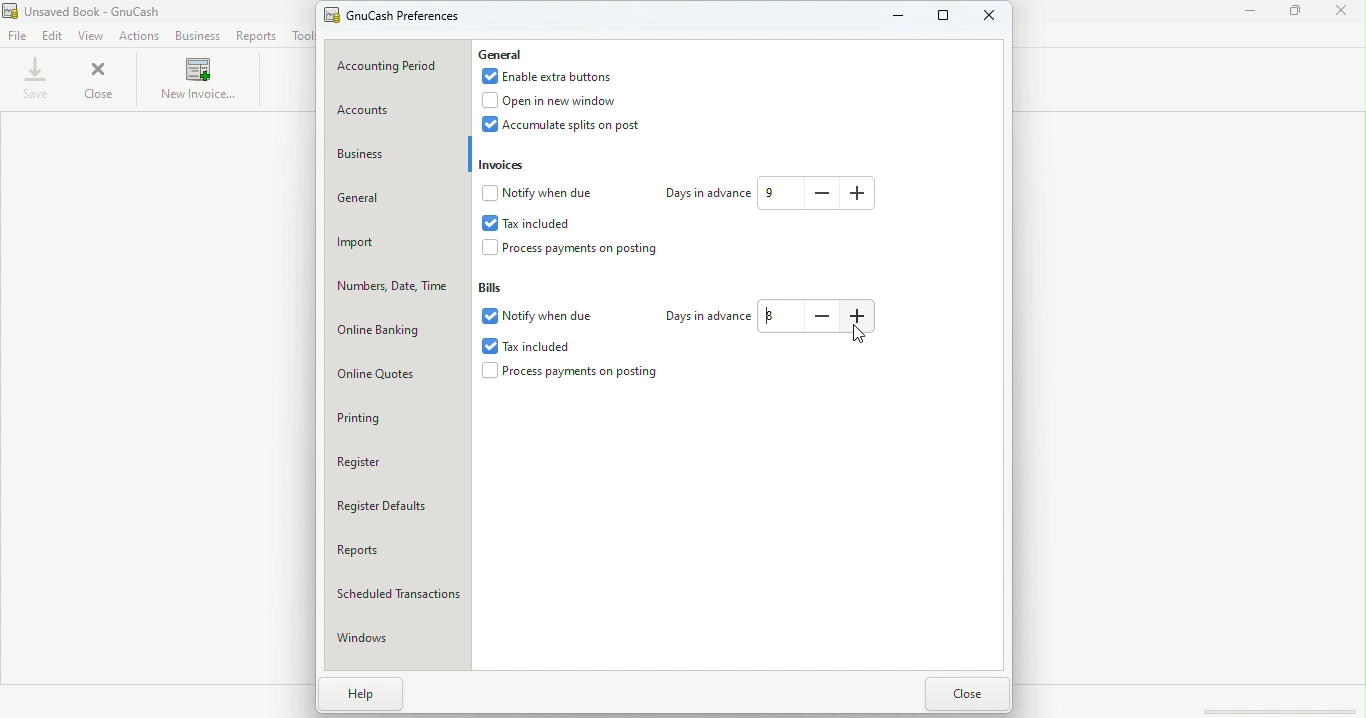 This screenshot has height=718, width=1366. What do you see at coordinates (399, 63) in the screenshot?
I see `Accounting period` at bounding box center [399, 63].